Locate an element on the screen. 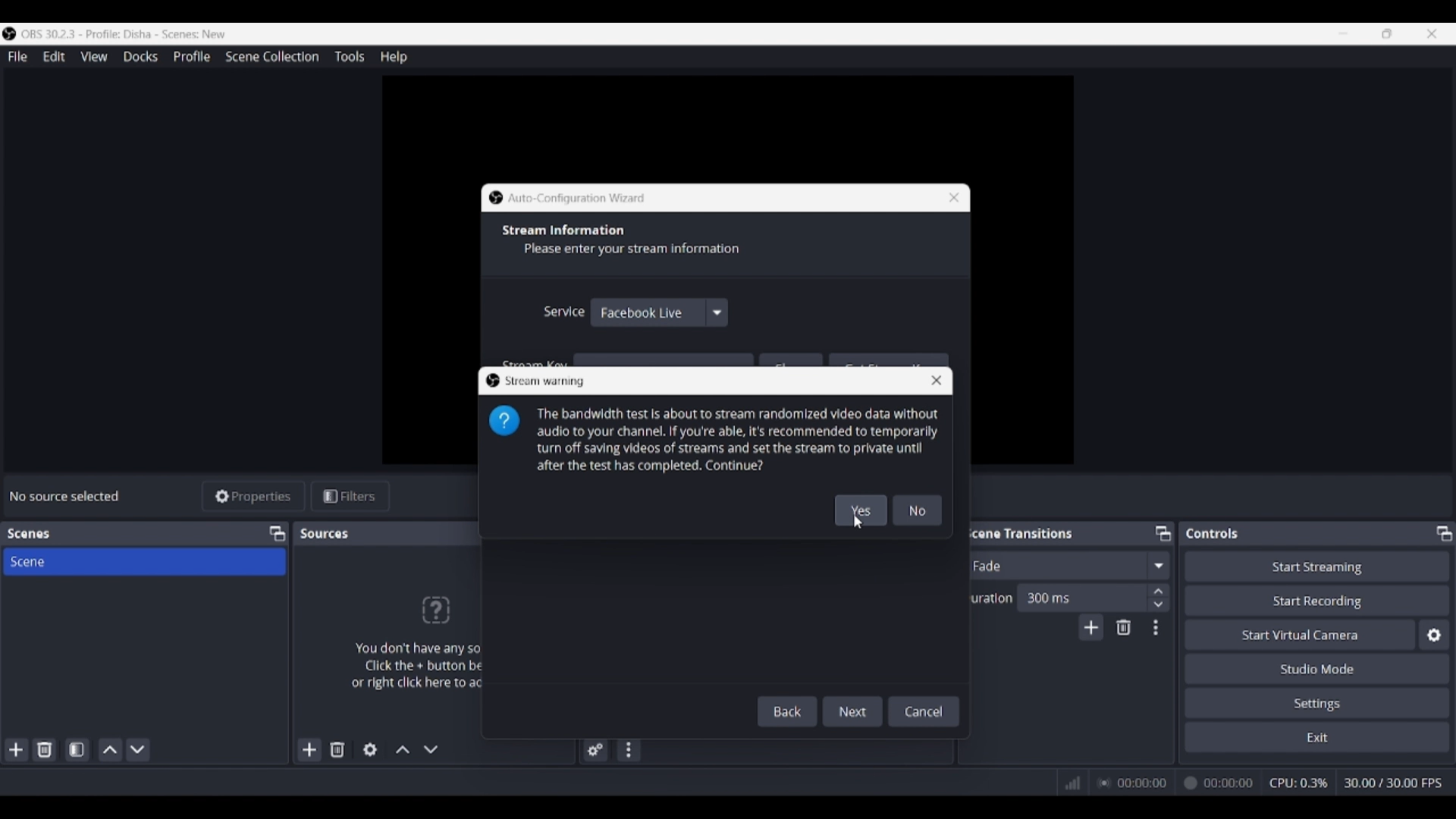 Image resolution: width=1456 pixels, height=819 pixels. Increase/Decrease duration is located at coordinates (1159, 597).